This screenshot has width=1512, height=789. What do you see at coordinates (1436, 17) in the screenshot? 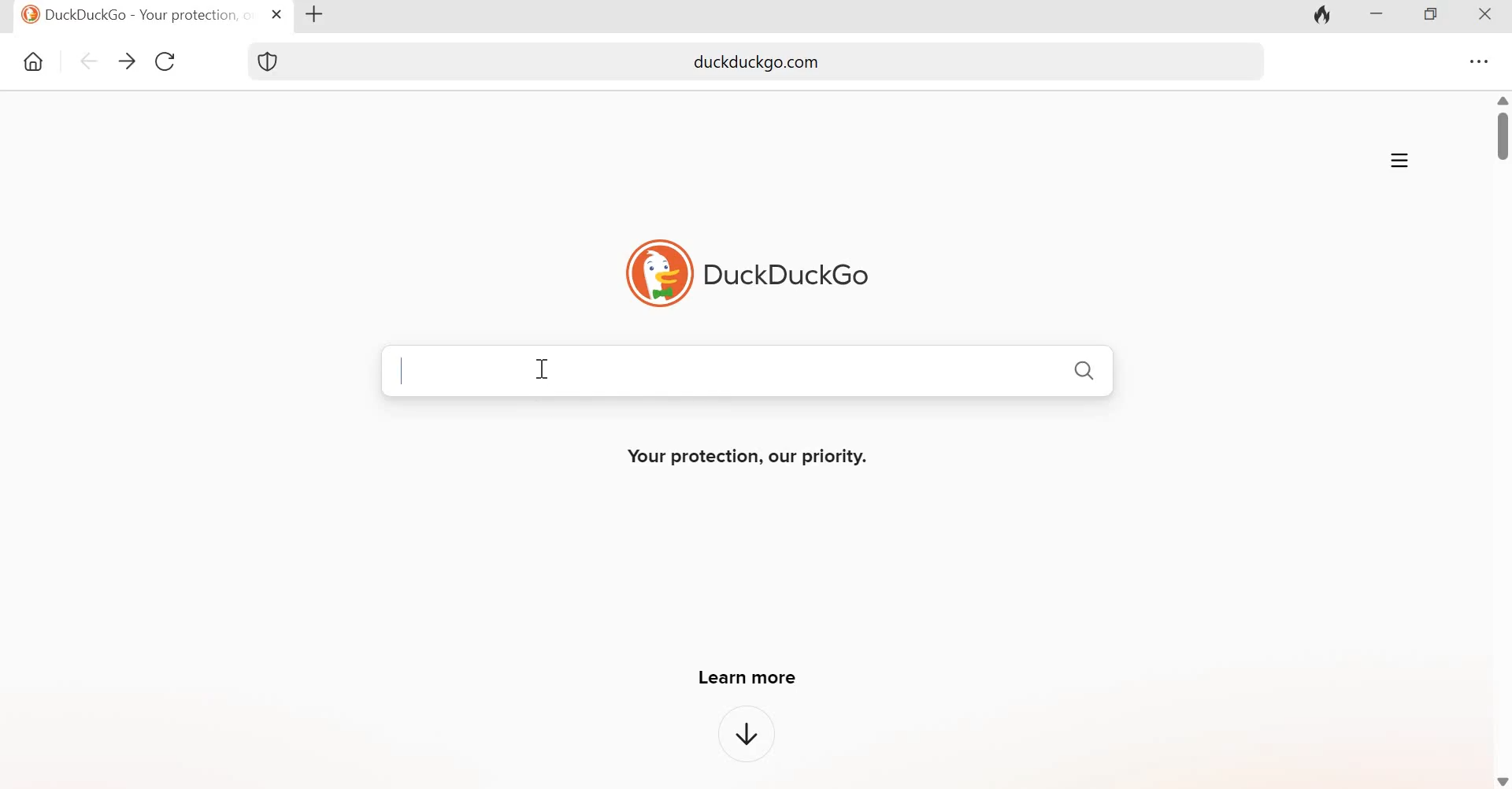
I see `Maximize` at bounding box center [1436, 17].